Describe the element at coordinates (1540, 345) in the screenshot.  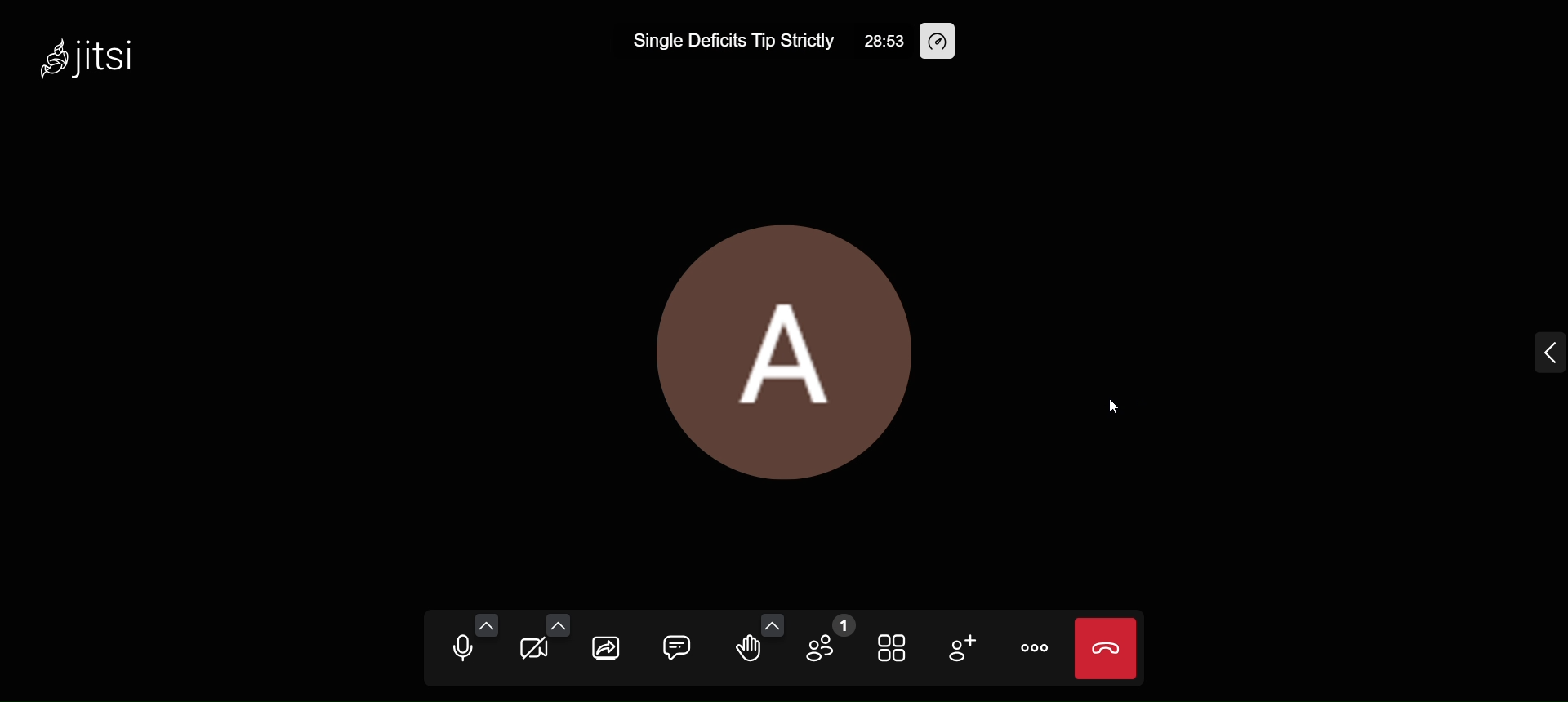
I see `expand` at that location.